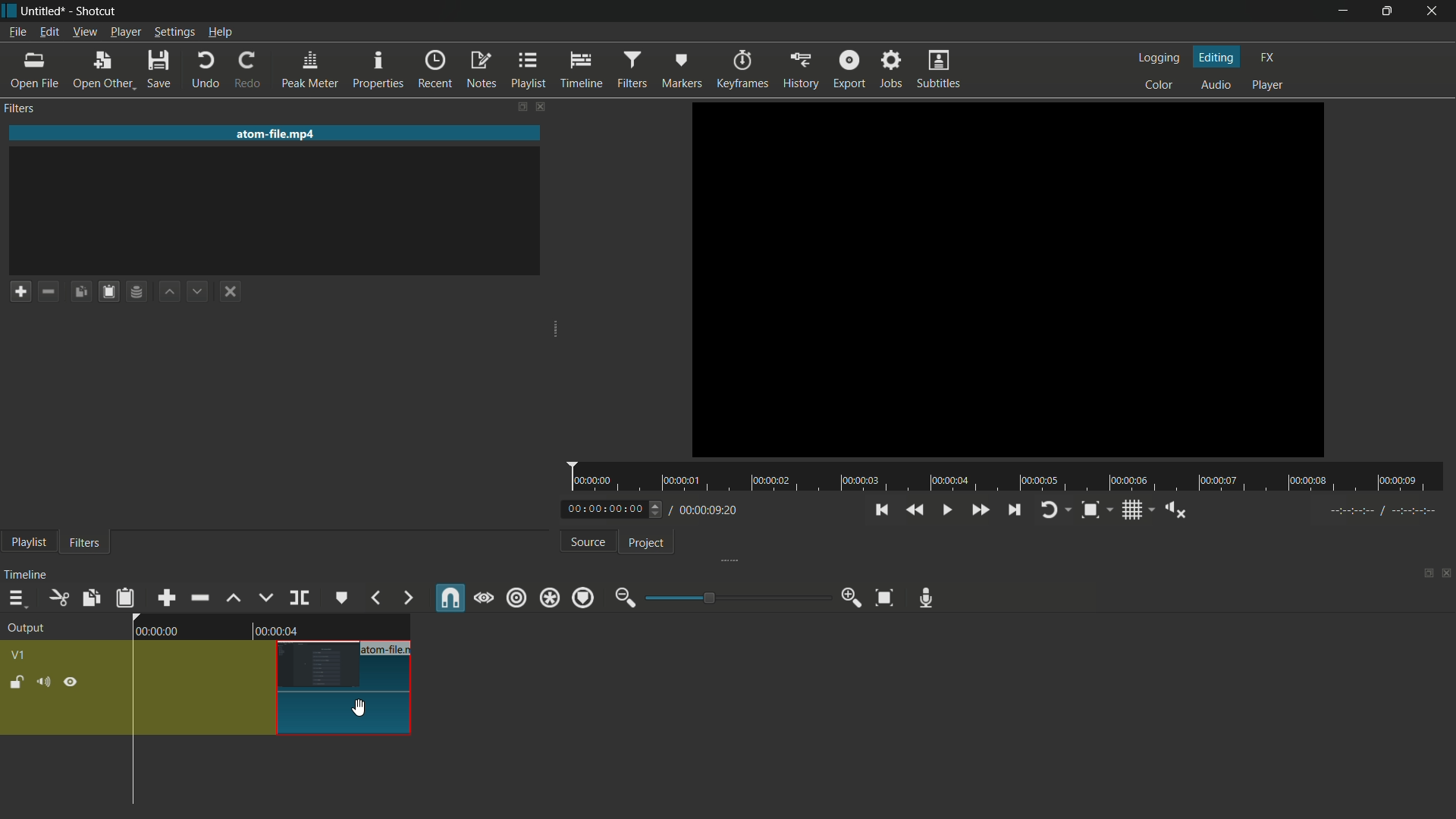 This screenshot has width=1456, height=819. Describe the element at coordinates (1389, 11) in the screenshot. I see `maximize` at that location.